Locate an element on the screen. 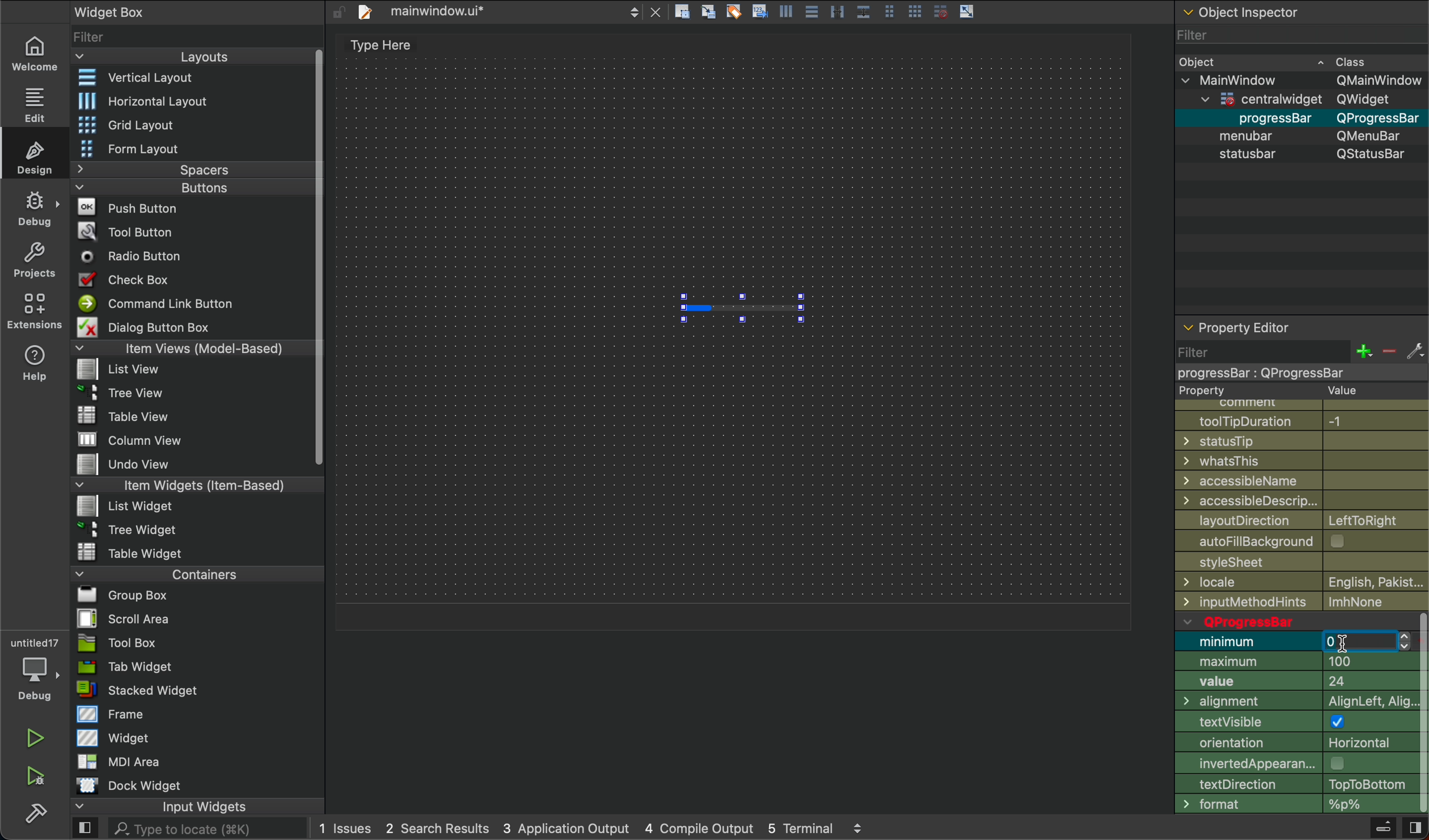 The height and width of the screenshot is (840, 1429). widget list is located at coordinates (191, 35).